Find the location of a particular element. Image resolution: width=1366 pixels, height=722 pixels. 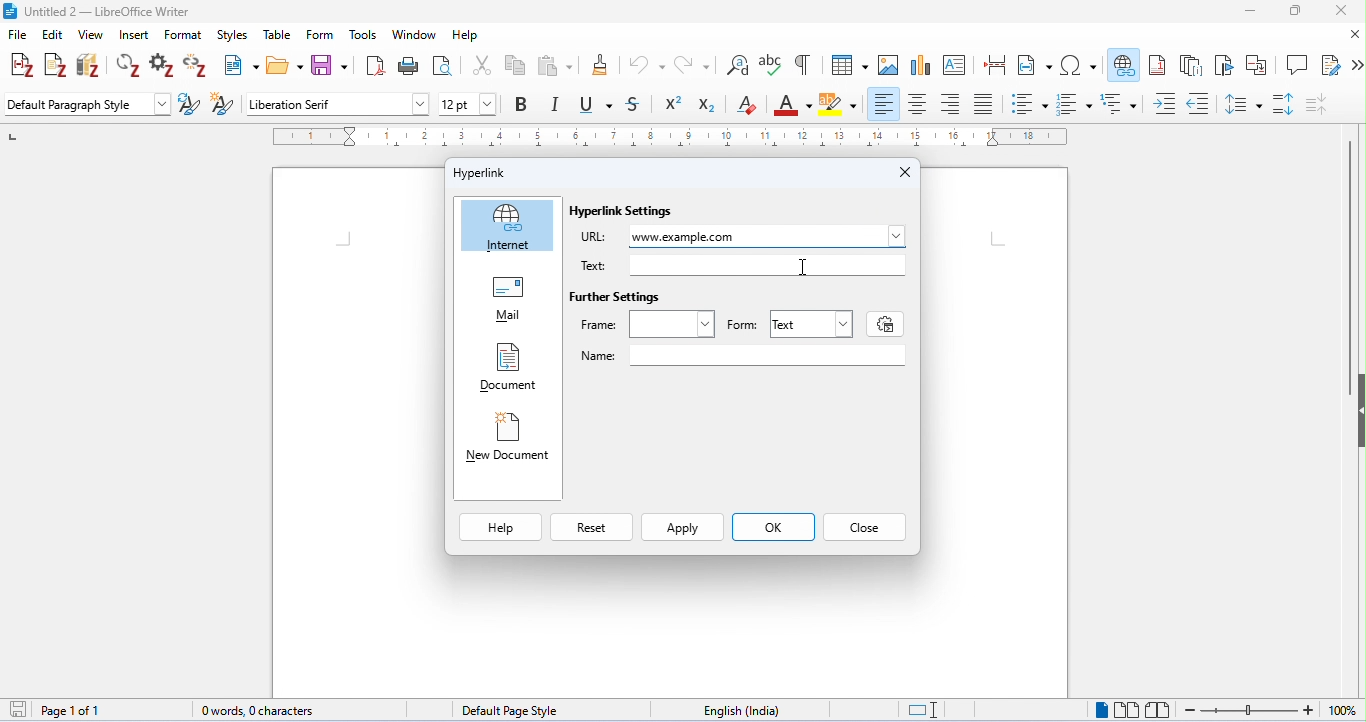

insert comment is located at coordinates (1298, 65).